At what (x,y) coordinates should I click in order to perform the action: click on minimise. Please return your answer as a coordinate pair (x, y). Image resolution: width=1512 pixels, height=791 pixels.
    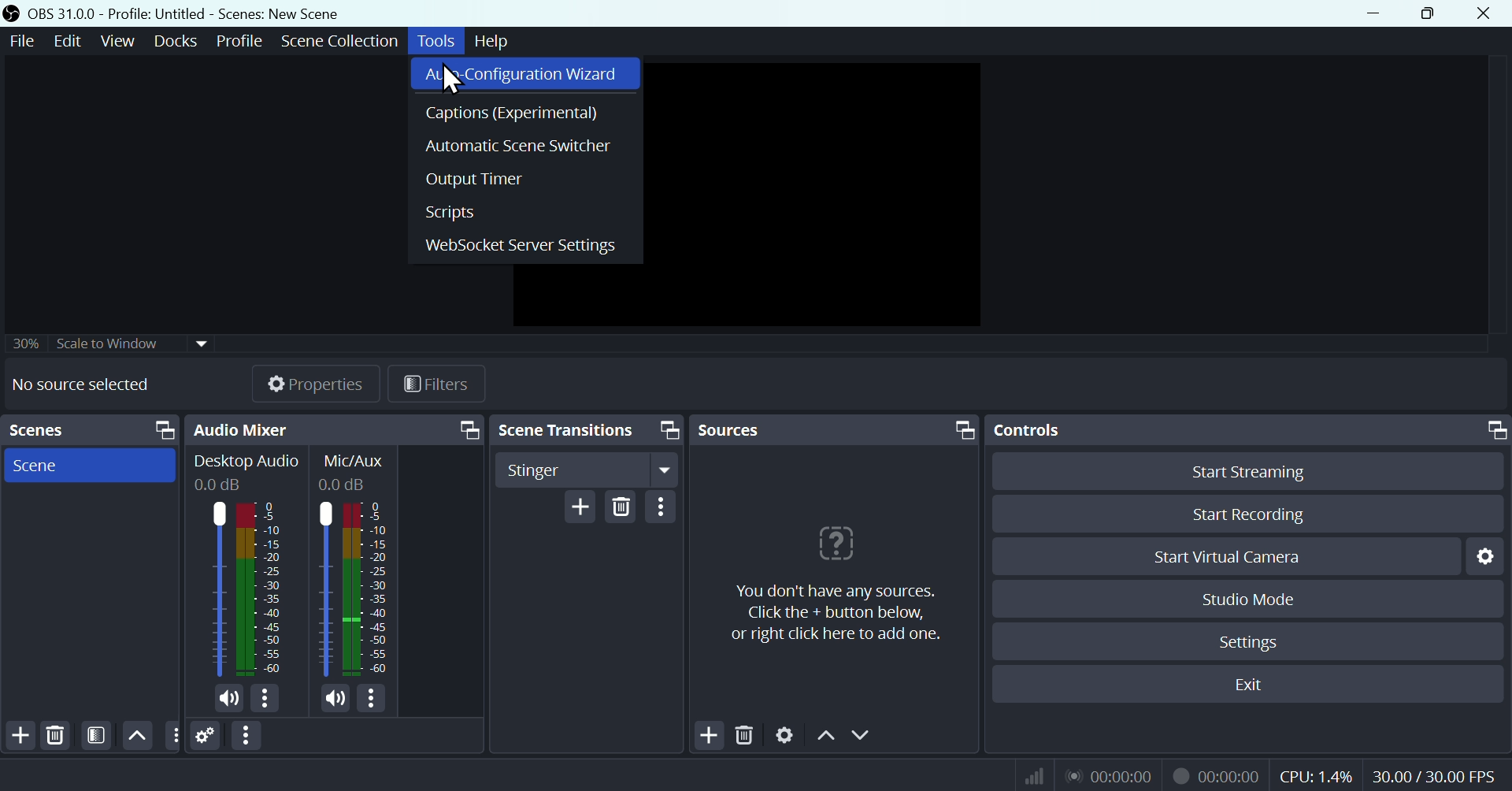
    Looking at the image, I should click on (1369, 13).